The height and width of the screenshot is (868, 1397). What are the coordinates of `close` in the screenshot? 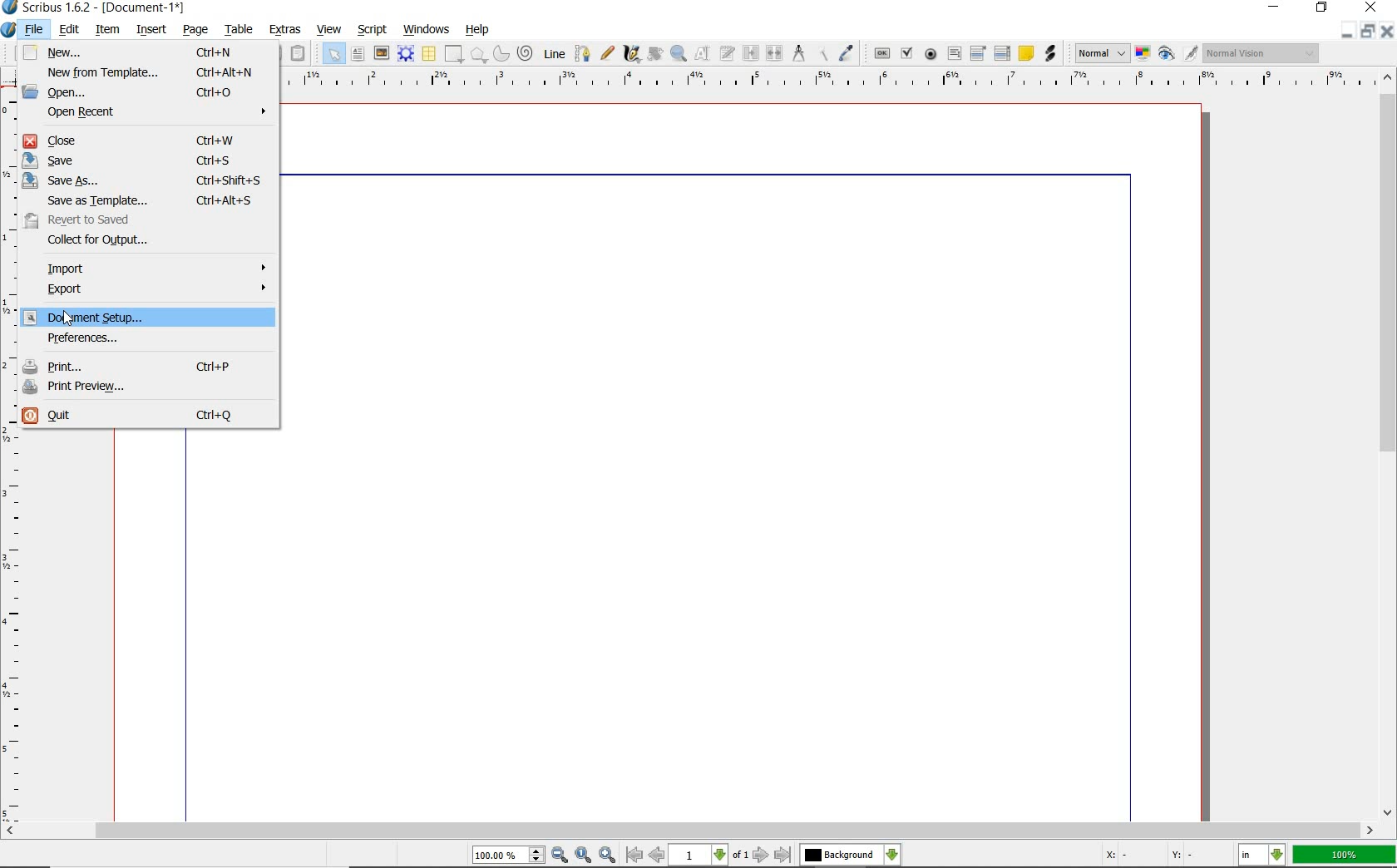 It's located at (1349, 28).